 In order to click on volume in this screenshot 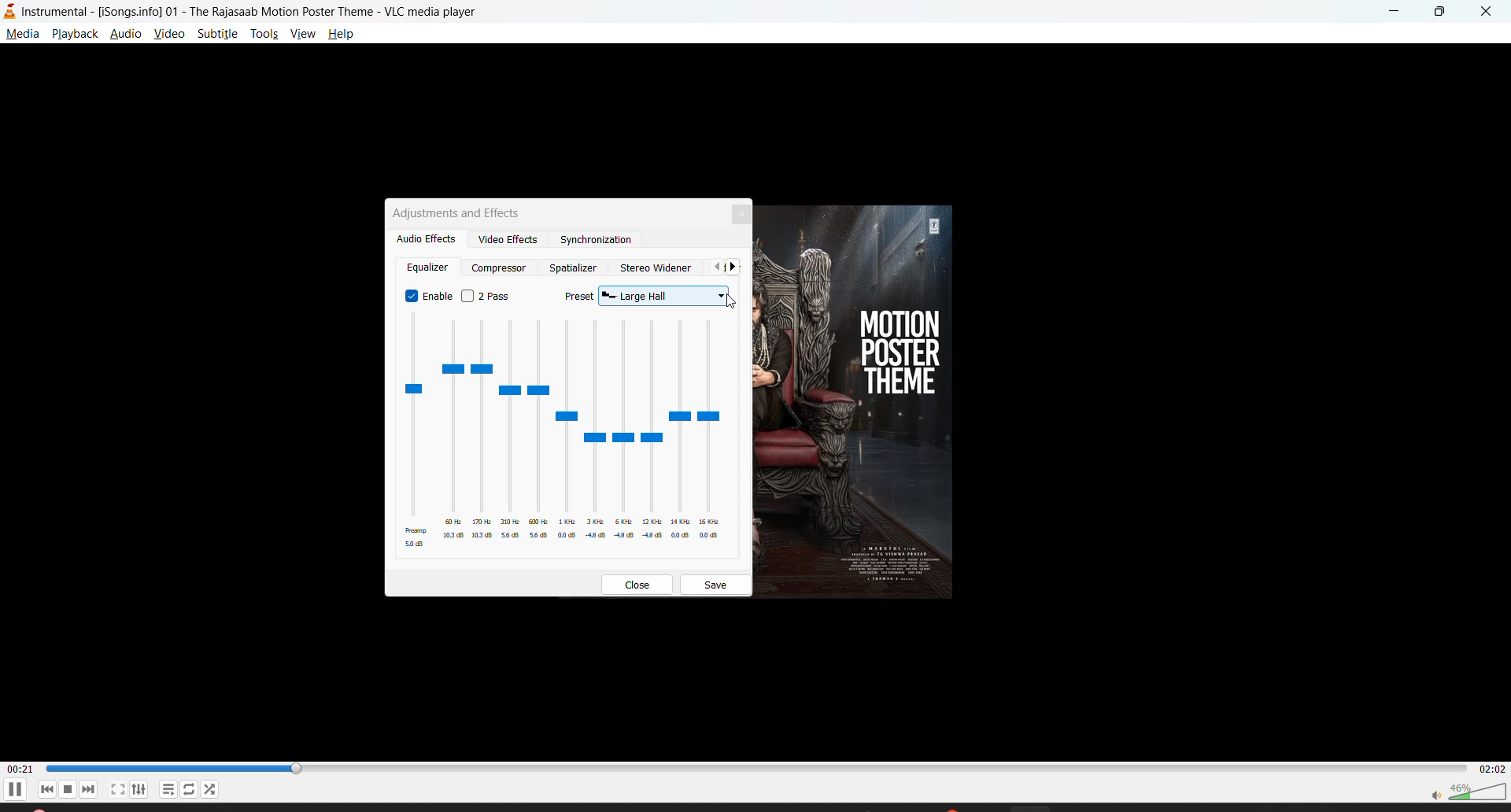, I will do `click(1468, 790)`.